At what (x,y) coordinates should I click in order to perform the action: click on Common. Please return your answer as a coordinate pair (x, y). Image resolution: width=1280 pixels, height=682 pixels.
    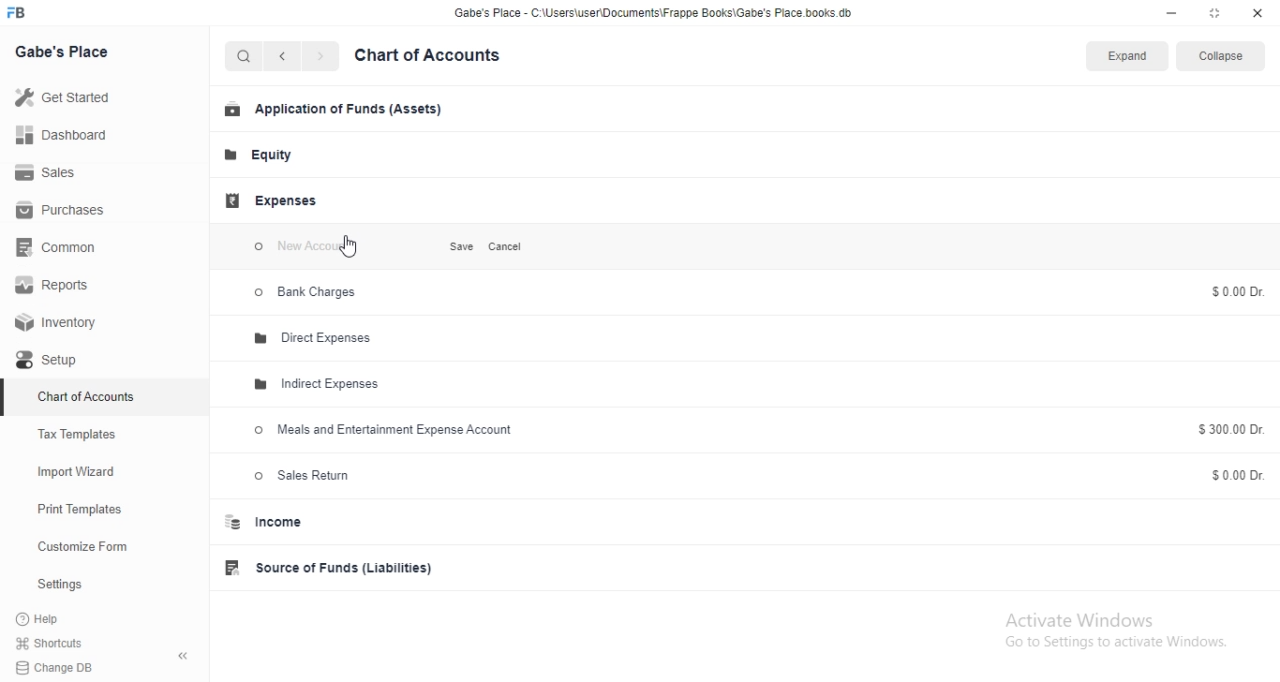
    Looking at the image, I should click on (62, 250).